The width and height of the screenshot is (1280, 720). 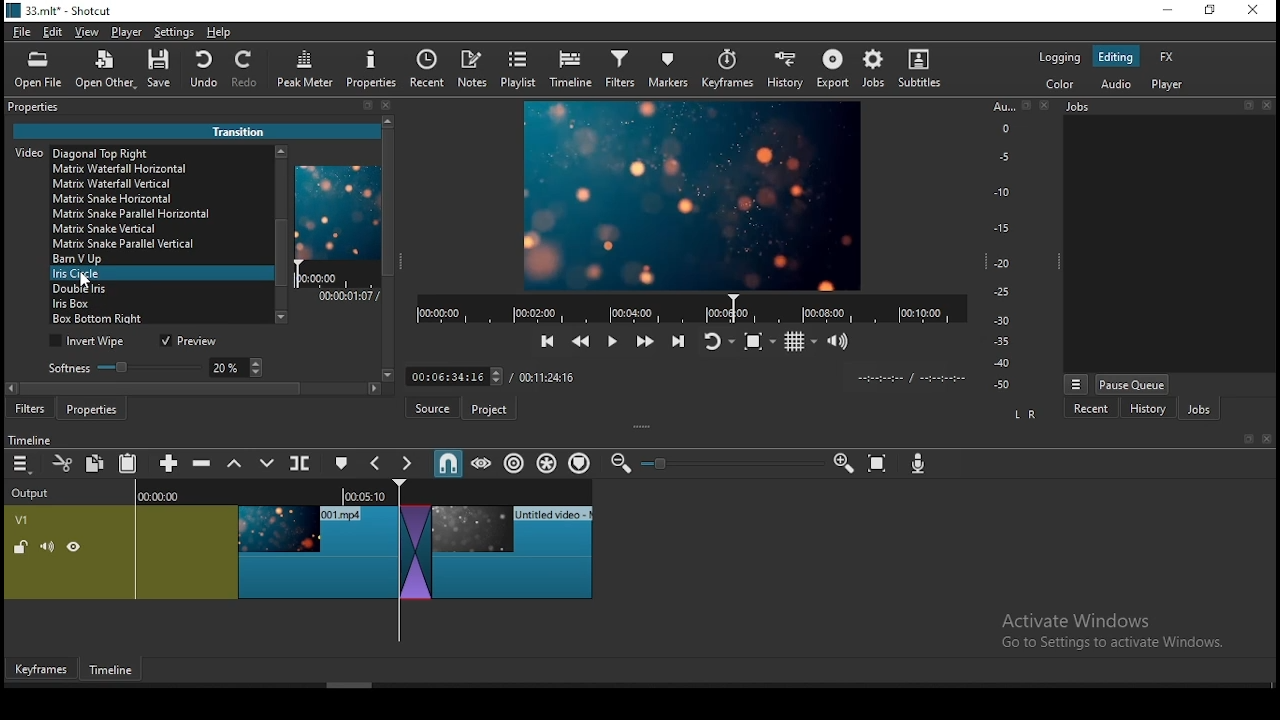 I want to click on video track, so click(x=298, y=547).